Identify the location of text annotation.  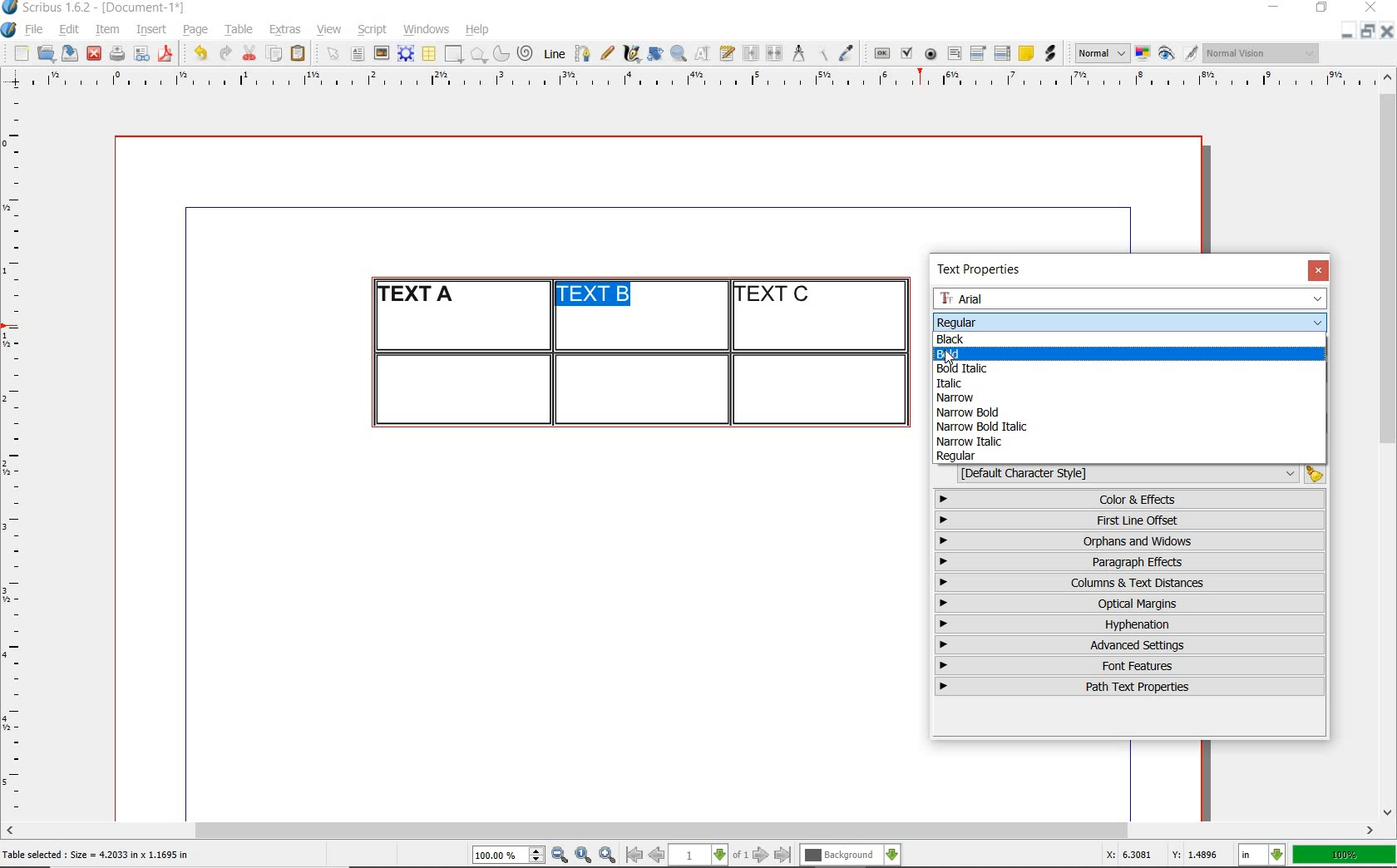
(1025, 54).